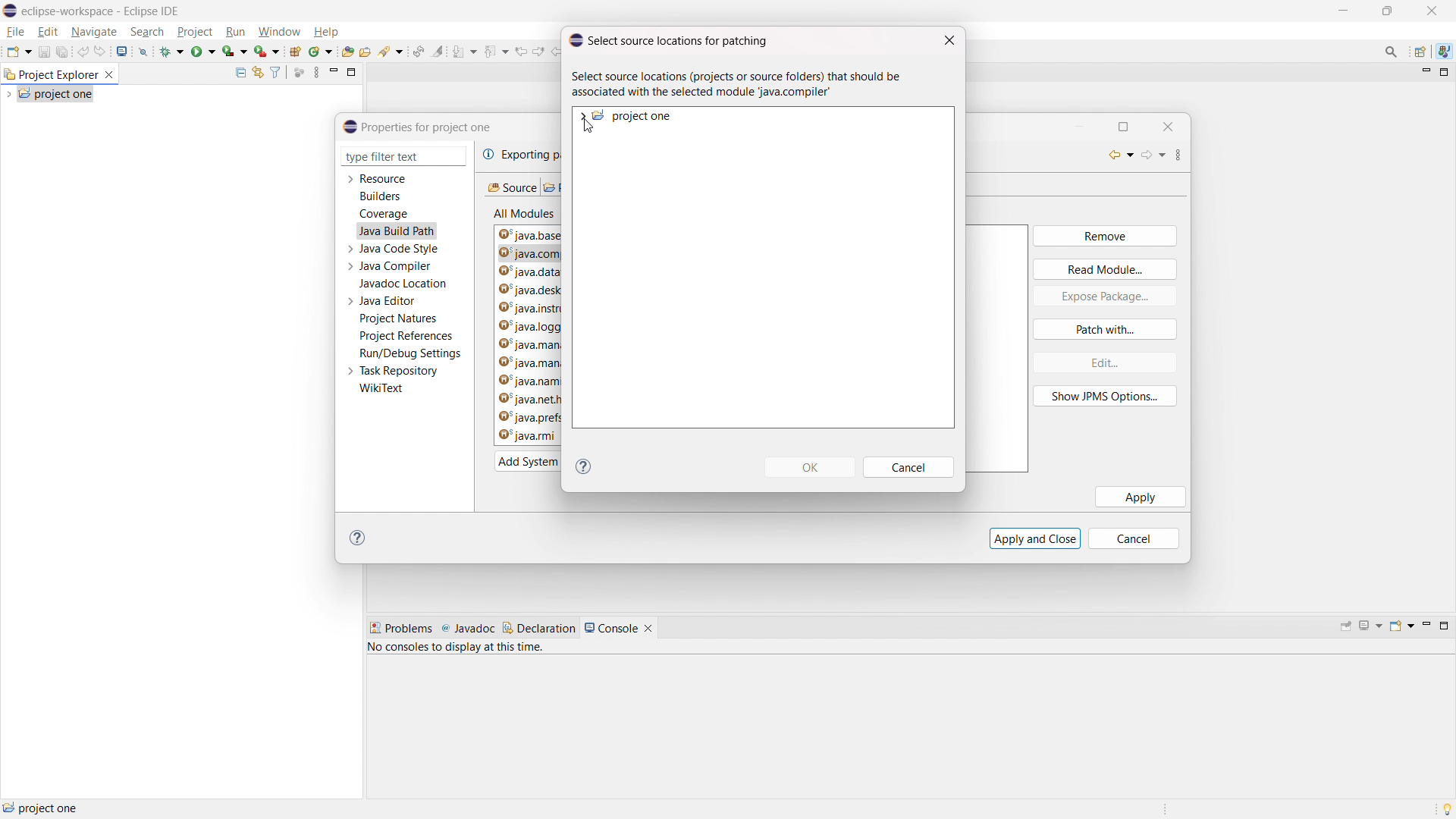 Image resolution: width=1456 pixels, height=819 pixels. I want to click on toggle ant editor auto reconcile, so click(418, 51).